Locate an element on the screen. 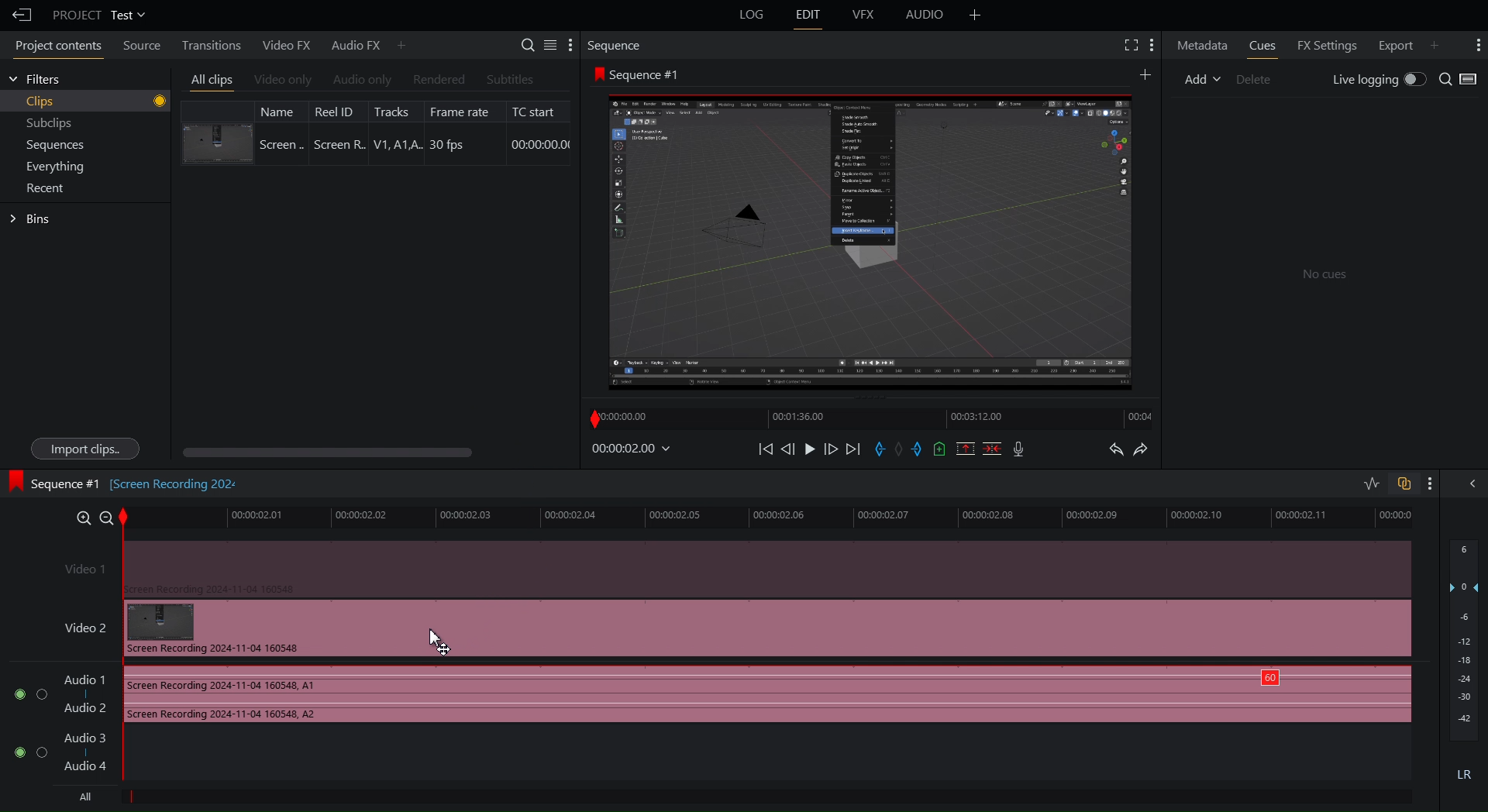 The image size is (1488, 812). More is located at coordinates (1153, 45).